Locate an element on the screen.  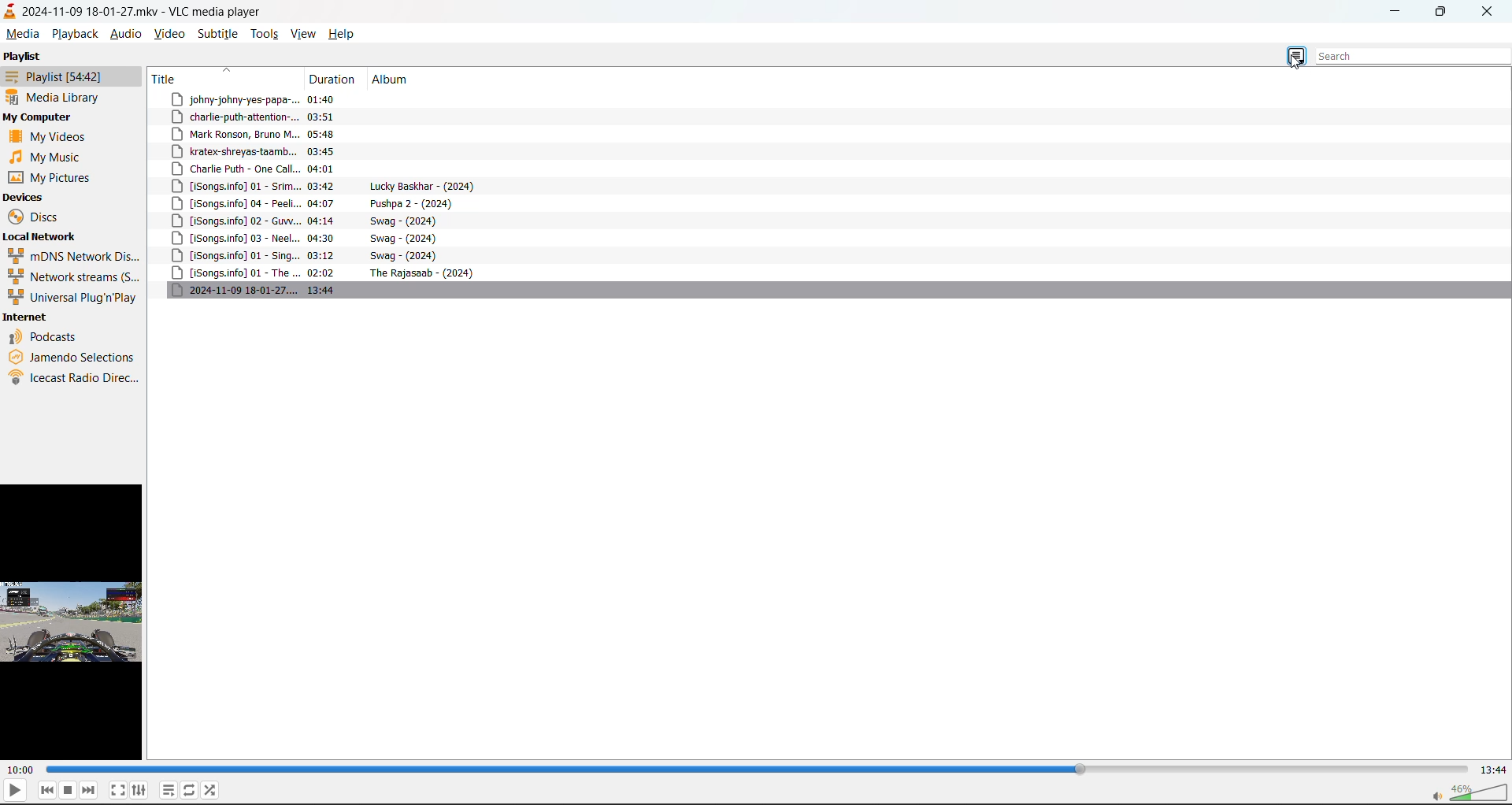
next is located at coordinates (88, 791).